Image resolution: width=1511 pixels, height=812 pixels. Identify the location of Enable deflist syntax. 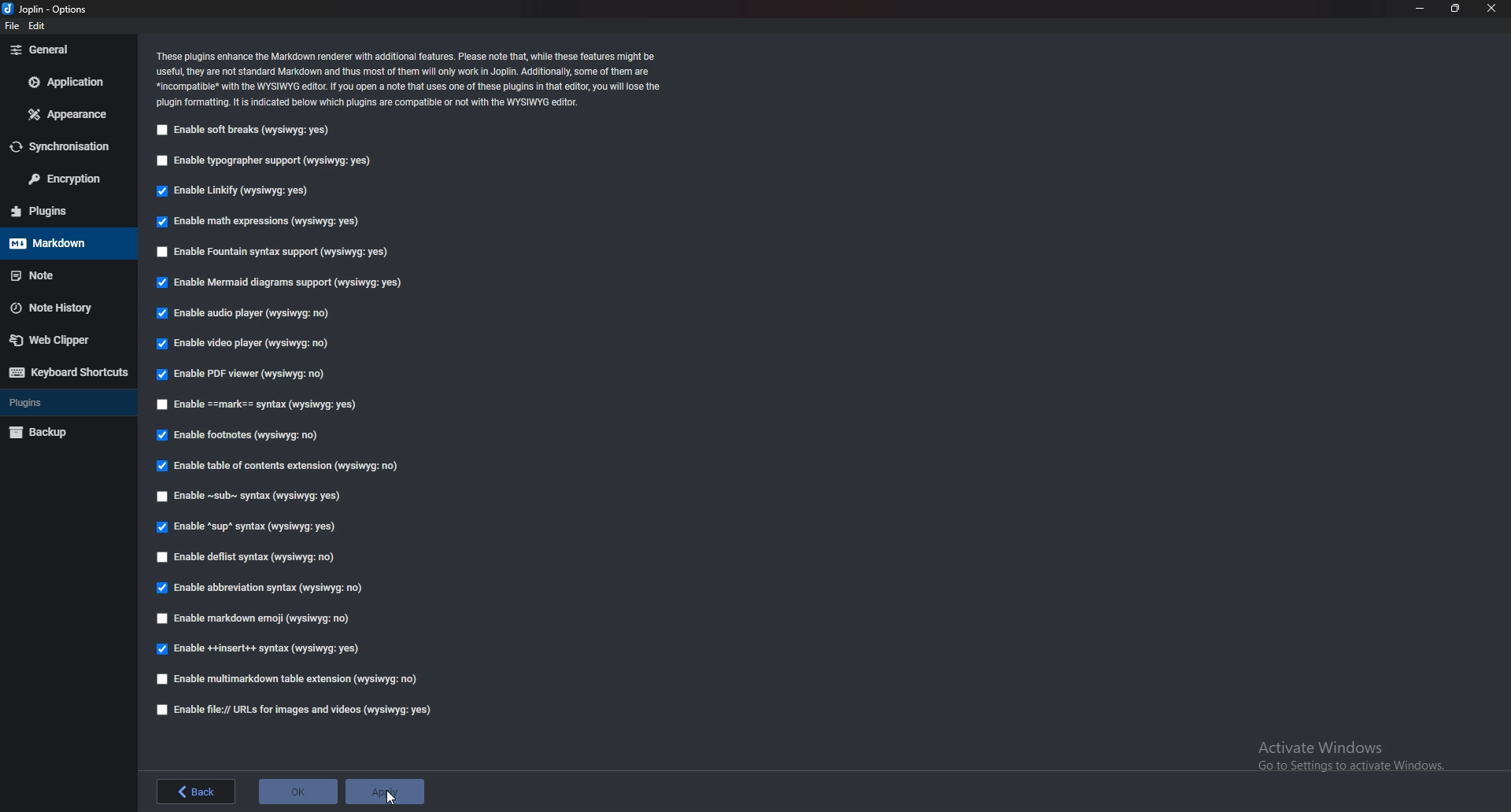
(254, 555).